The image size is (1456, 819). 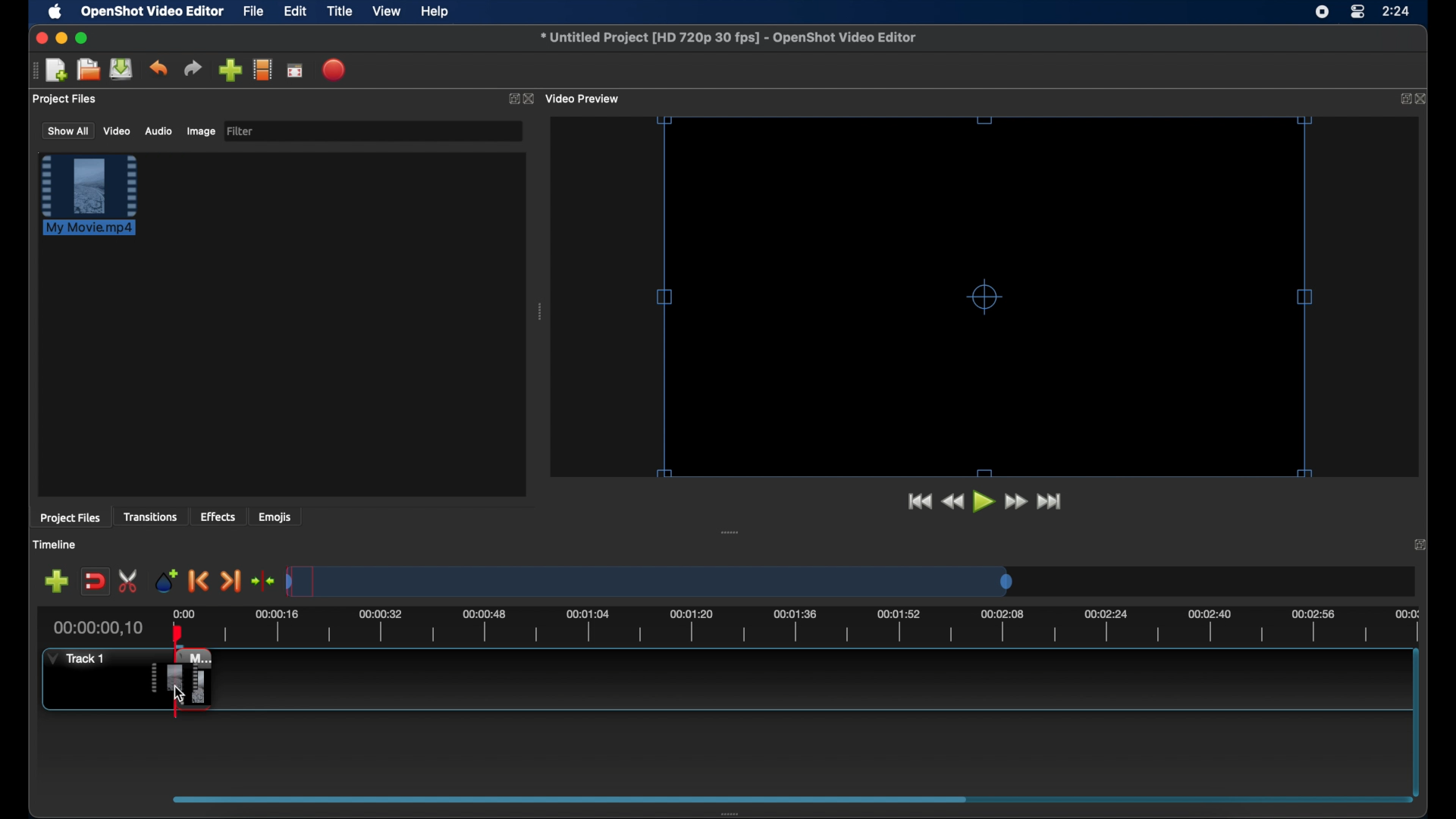 I want to click on full screen, so click(x=295, y=71).